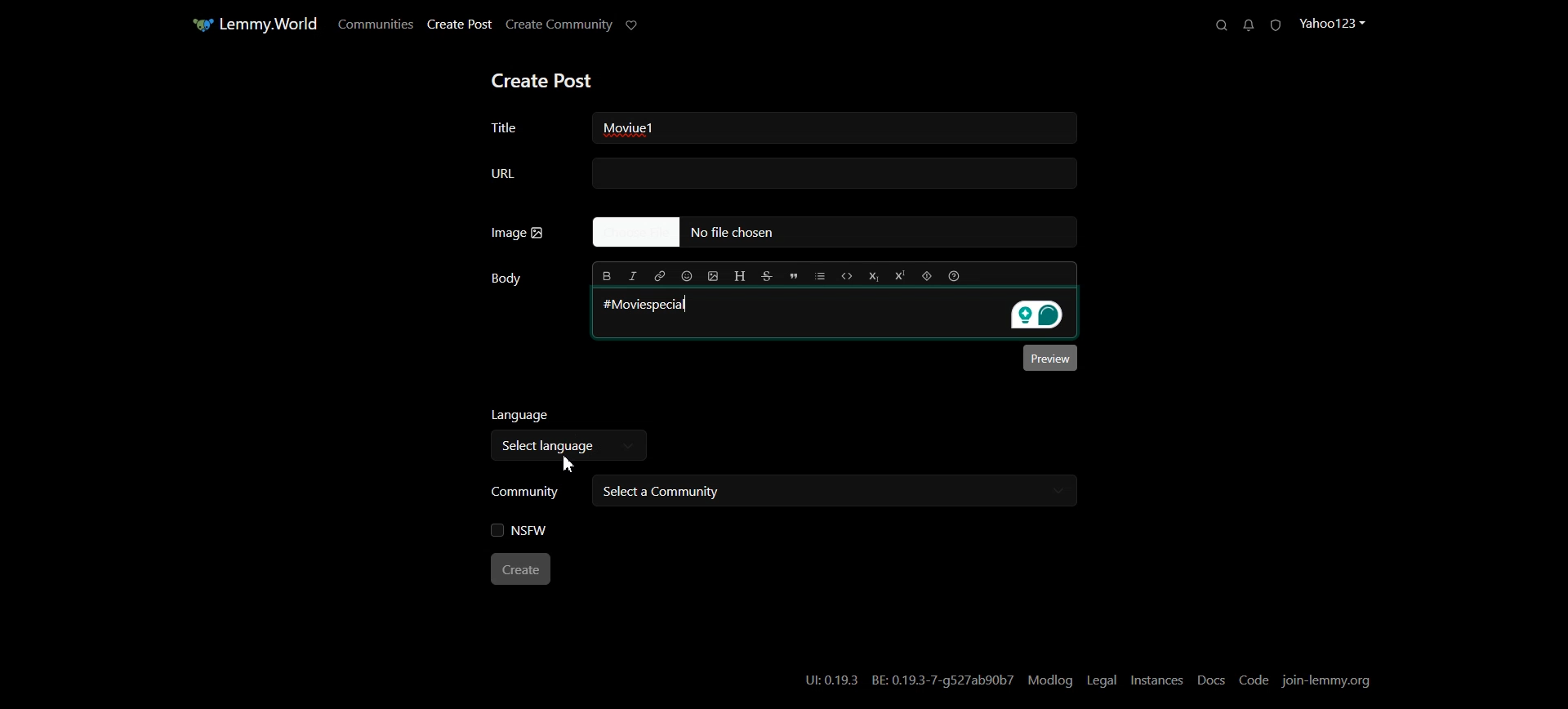  What do you see at coordinates (819, 276) in the screenshot?
I see `List` at bounding box center [819, 276].